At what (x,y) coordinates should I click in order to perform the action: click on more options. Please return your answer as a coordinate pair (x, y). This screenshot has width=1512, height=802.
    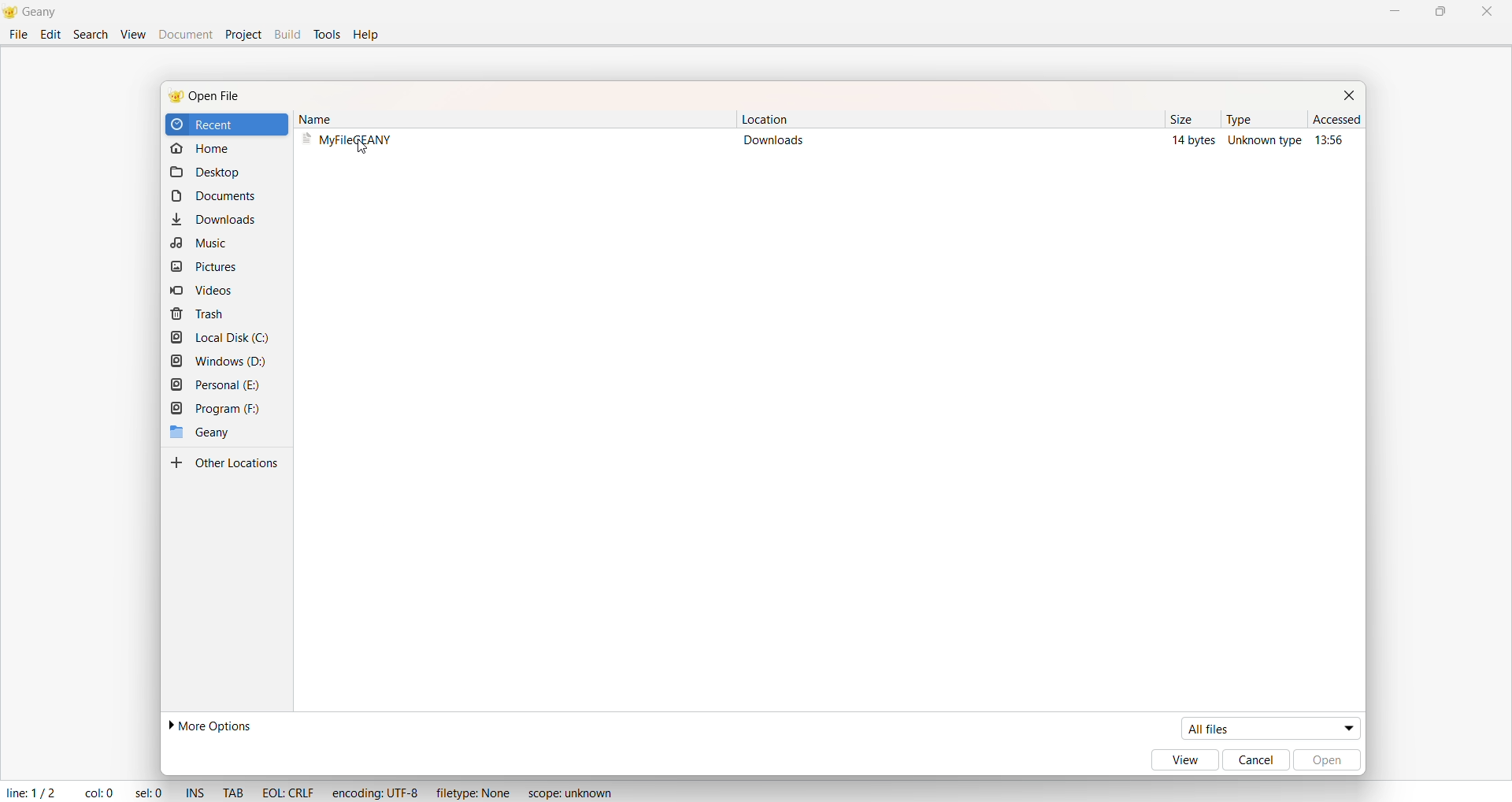
    Looking at the image, I should click on (208, 725).